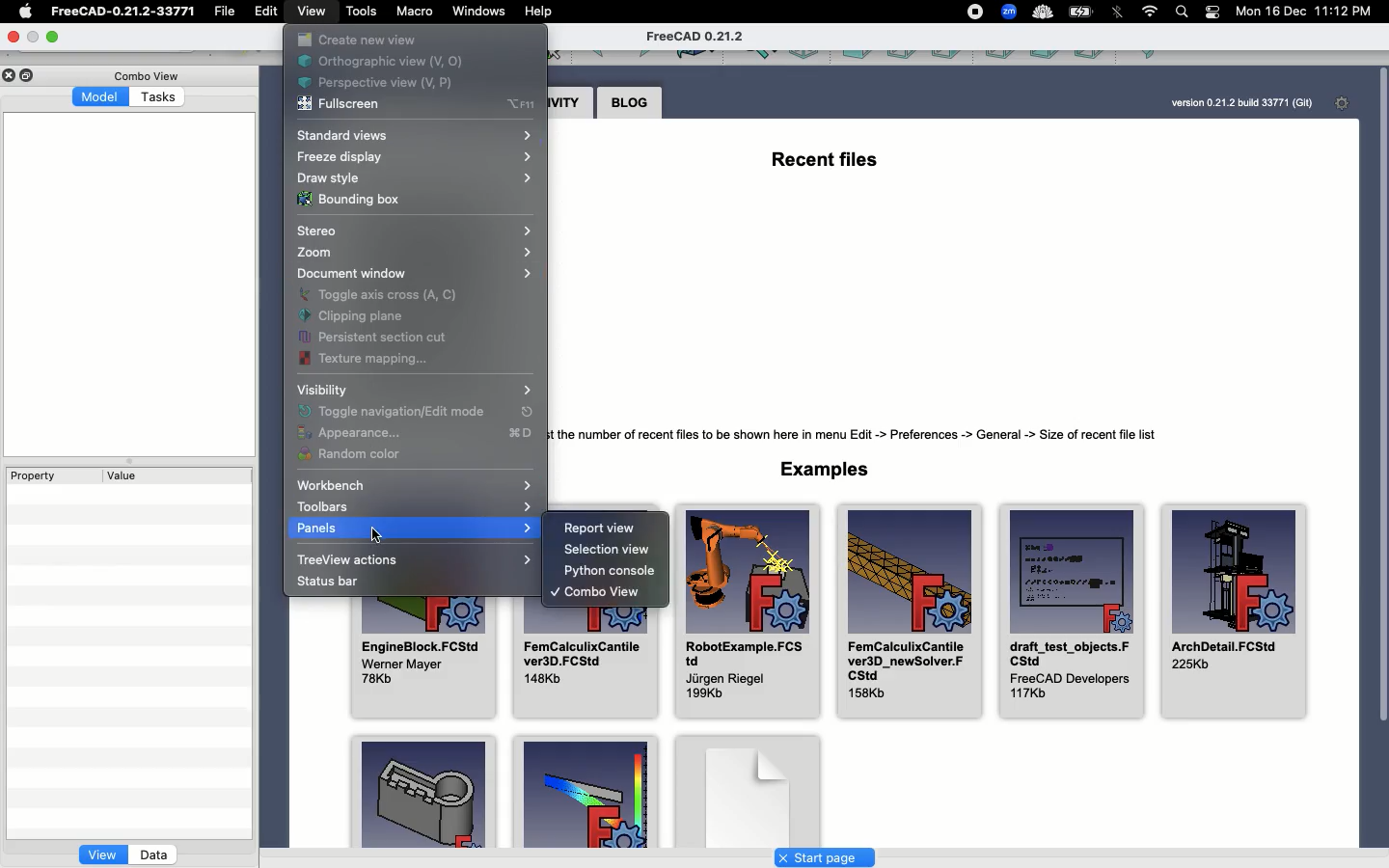  Describe the element at coordinates (609, 573) in the screenshot. I see `Python console` at that location.